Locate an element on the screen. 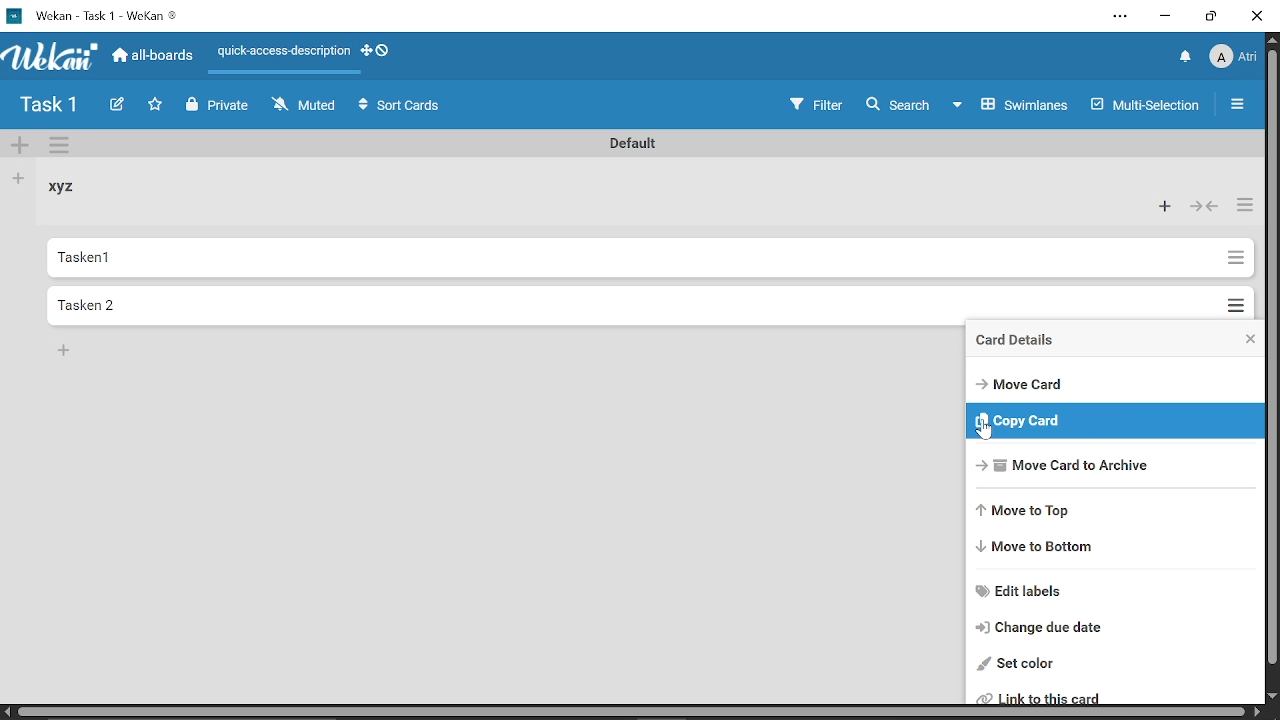 This screenshot has width=1280, height=720. Current window is located at coordinates (102, 16).